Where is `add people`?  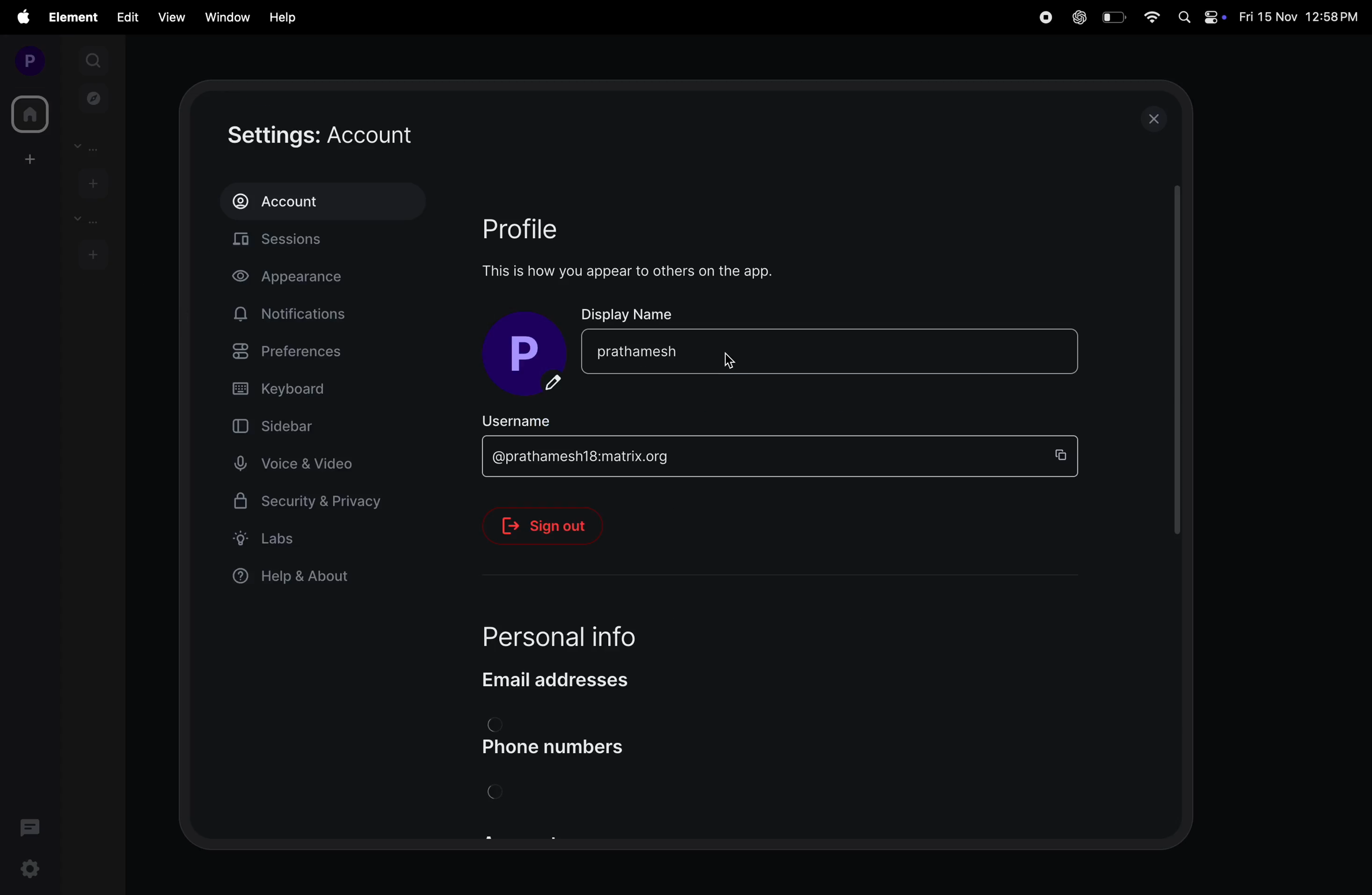
add people is located at coordinates (91, 182).